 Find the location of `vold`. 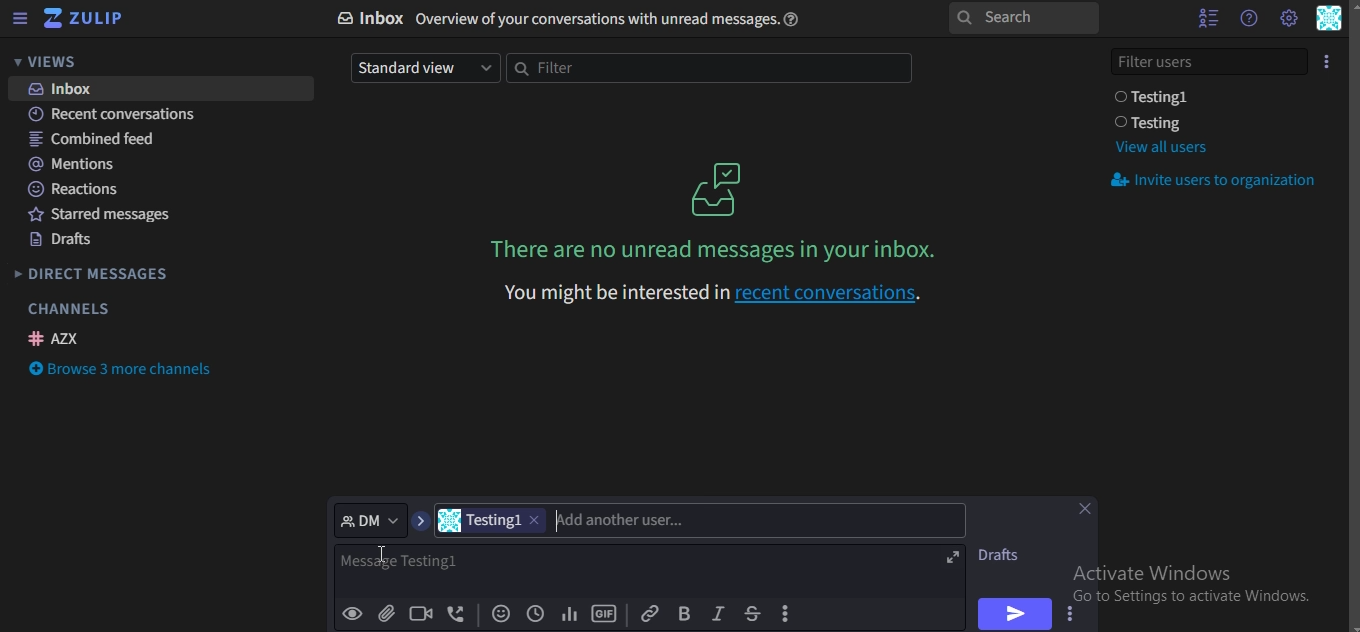

vold is located at coordinates (684, 613).